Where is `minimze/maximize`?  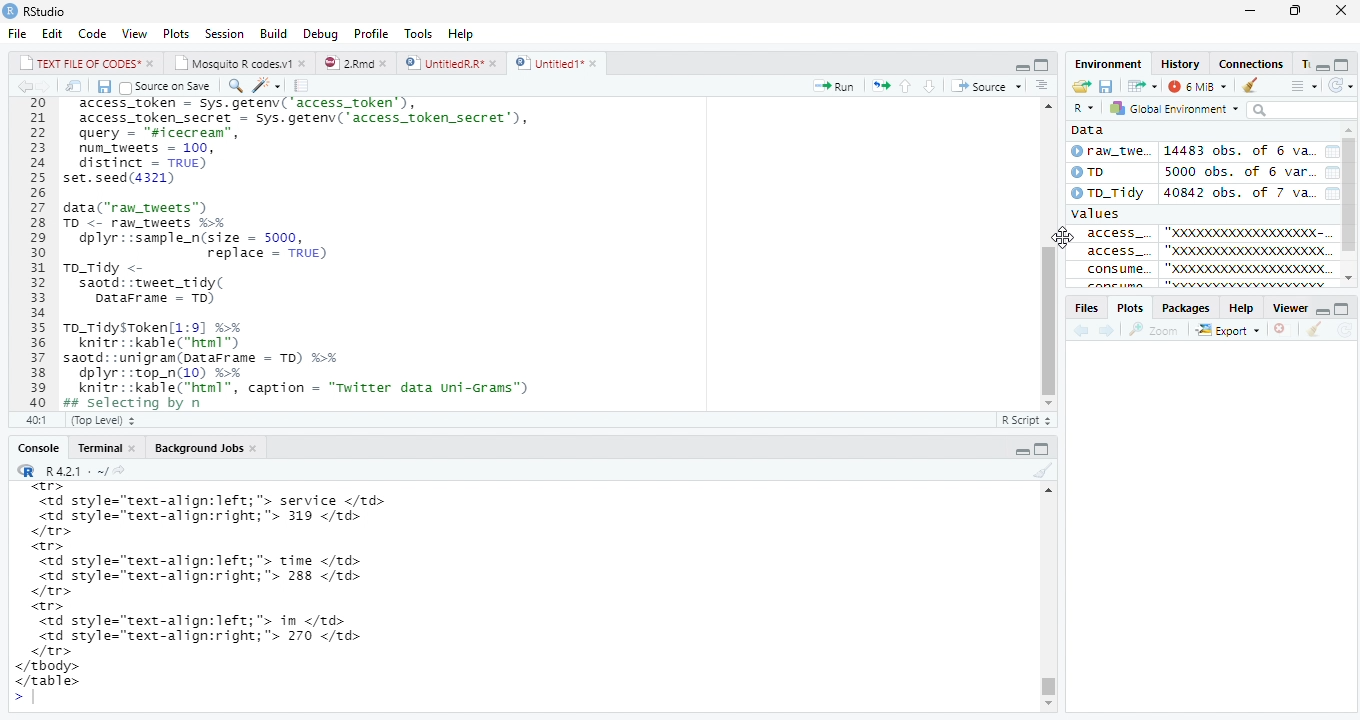 minimze/maximize is located at coordinates (1020, 63).